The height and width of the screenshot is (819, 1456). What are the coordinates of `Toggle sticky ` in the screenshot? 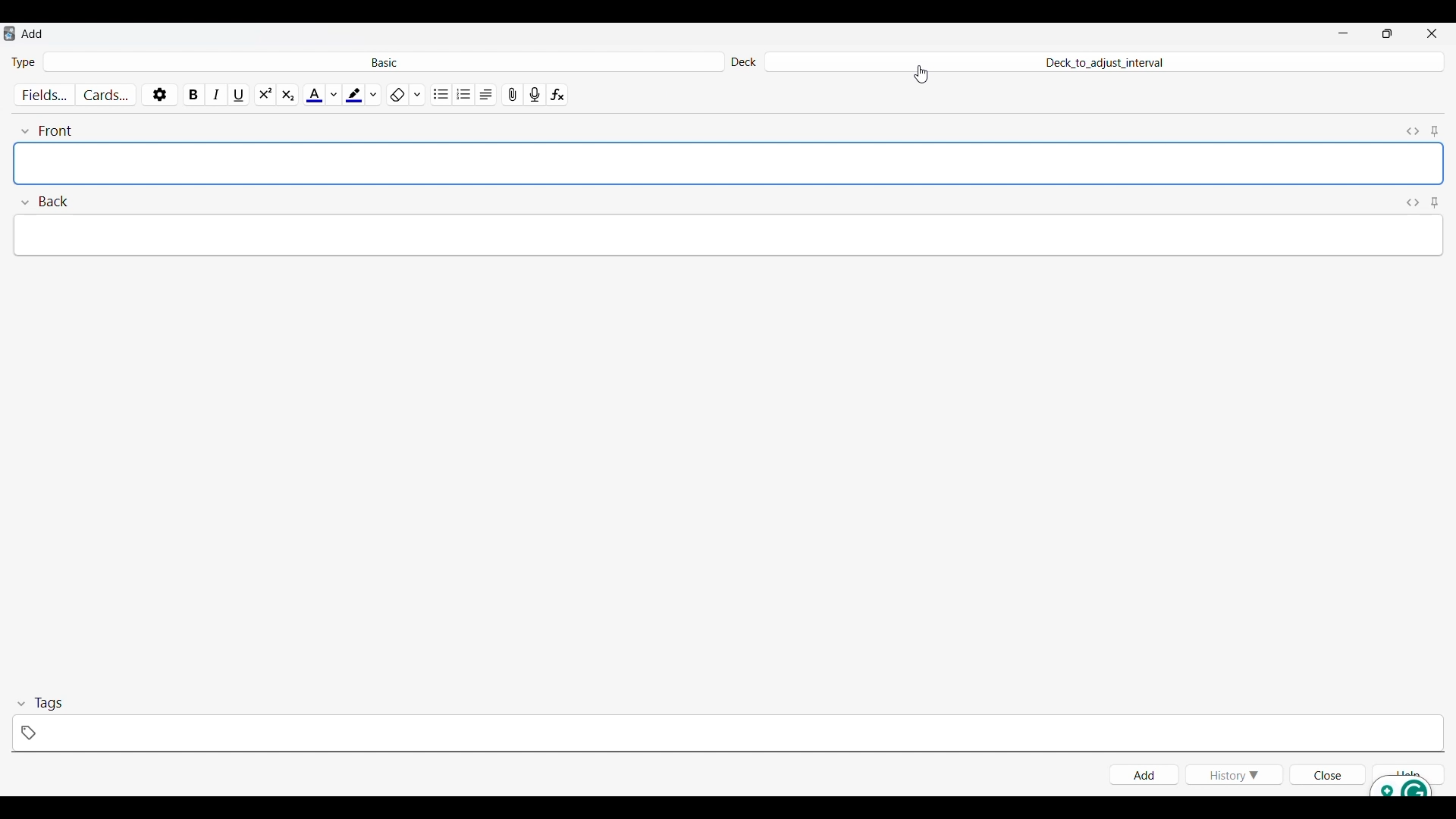 It's located at (1434, 132).